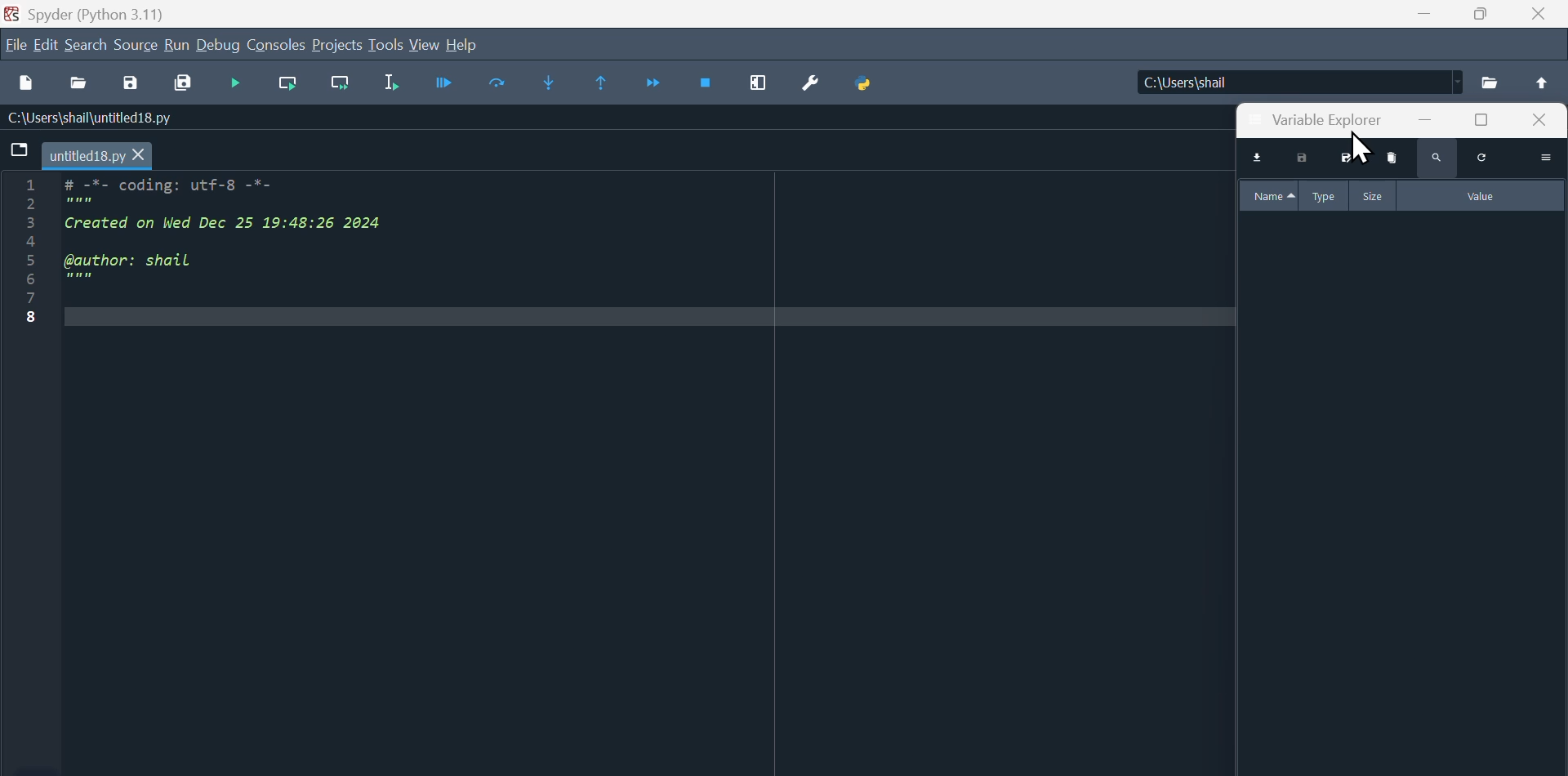 Image resolution: width=1568 pixels, height=776 pixels. Describe the element at coordinates (1297, 80) in the screenshot. I see `Folder: C:\Users\shail` at that location.